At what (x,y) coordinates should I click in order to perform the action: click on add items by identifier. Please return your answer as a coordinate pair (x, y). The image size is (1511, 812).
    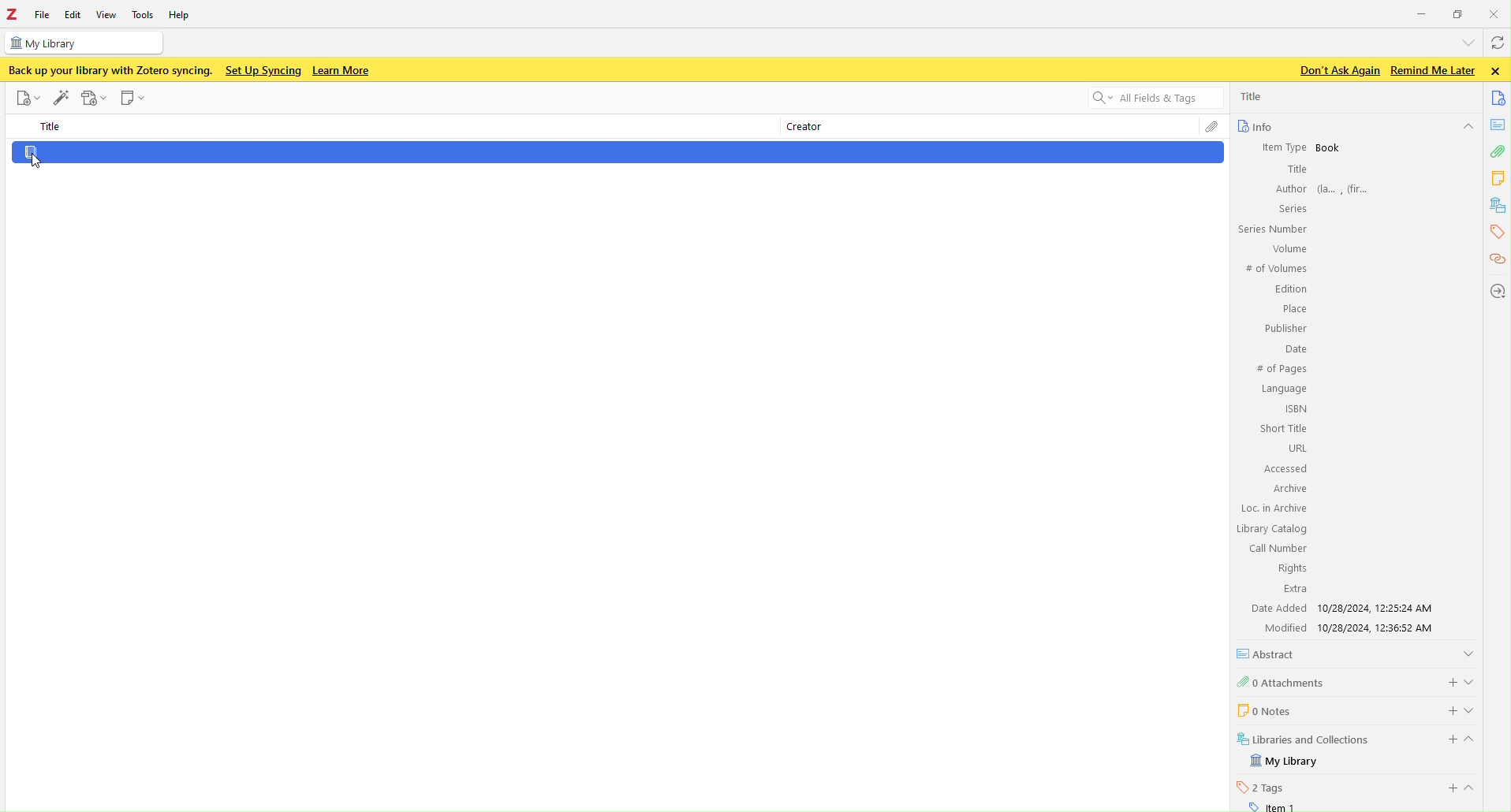
    Looking at the image, I should click on (58, 99).